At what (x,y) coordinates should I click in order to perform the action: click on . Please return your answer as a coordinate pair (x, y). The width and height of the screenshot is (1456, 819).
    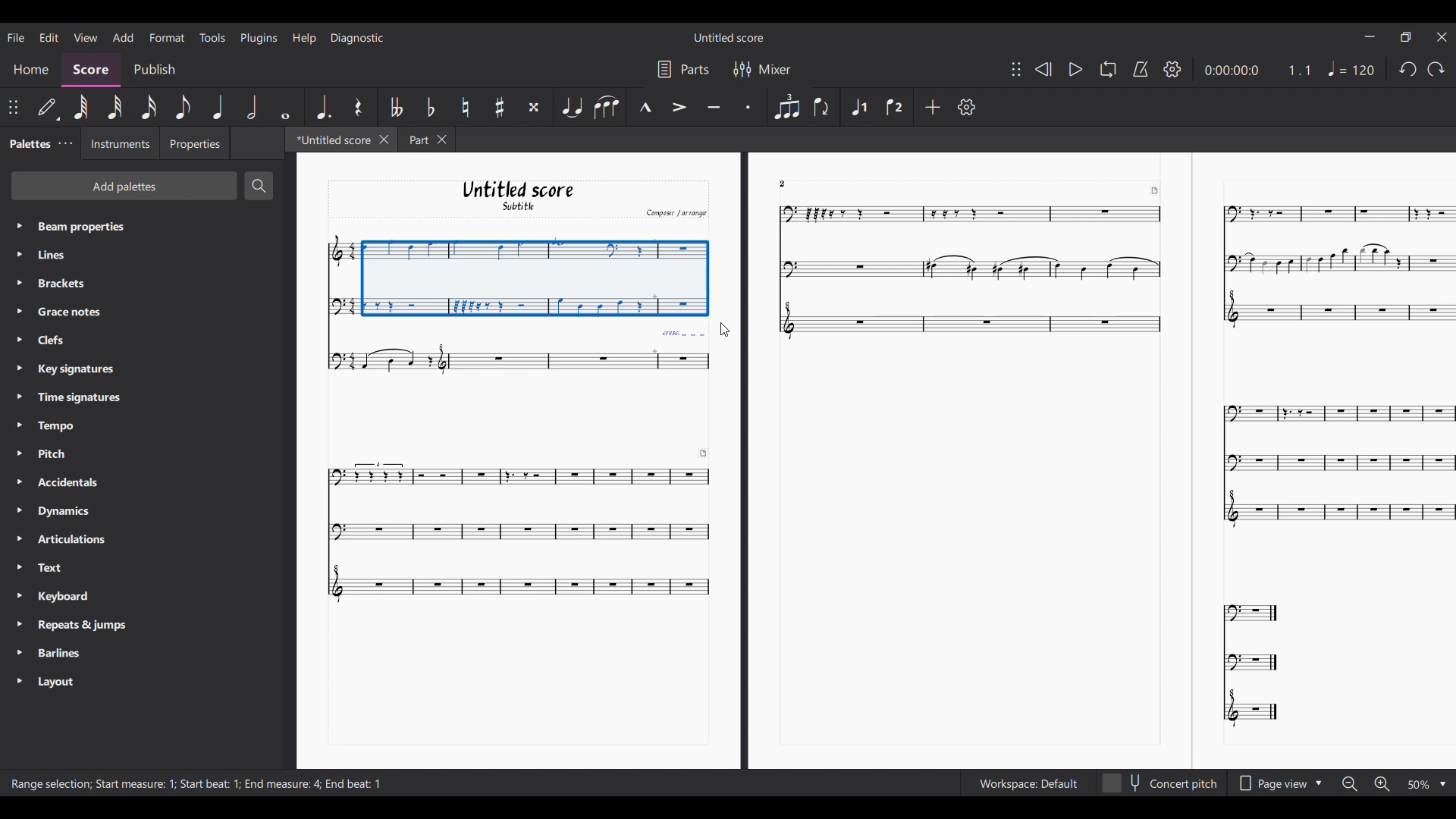
    Looking at the image, I should click on (16, 340).